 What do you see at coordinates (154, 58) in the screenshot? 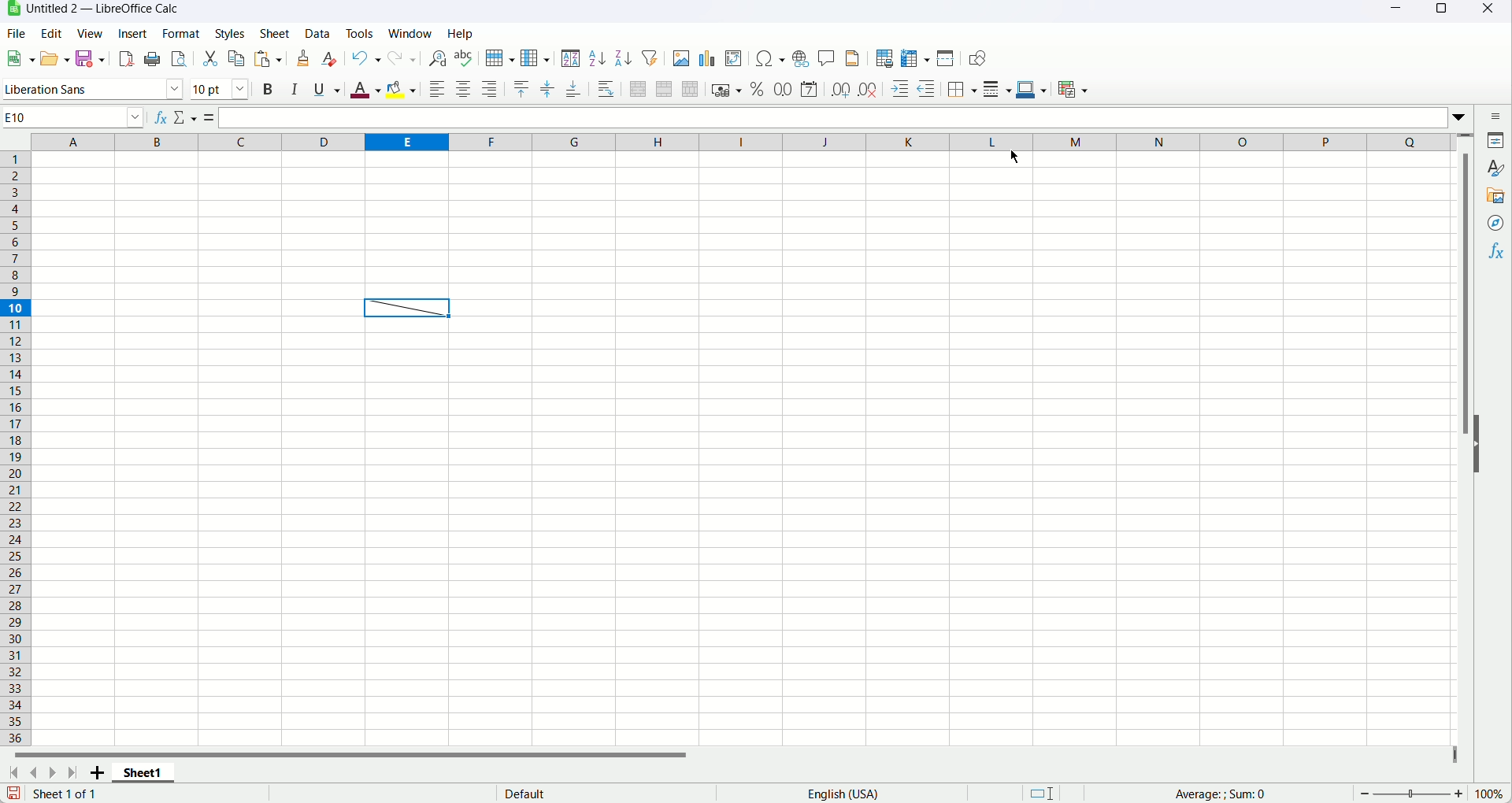
I see `Print` at bounding box center [154, 58].